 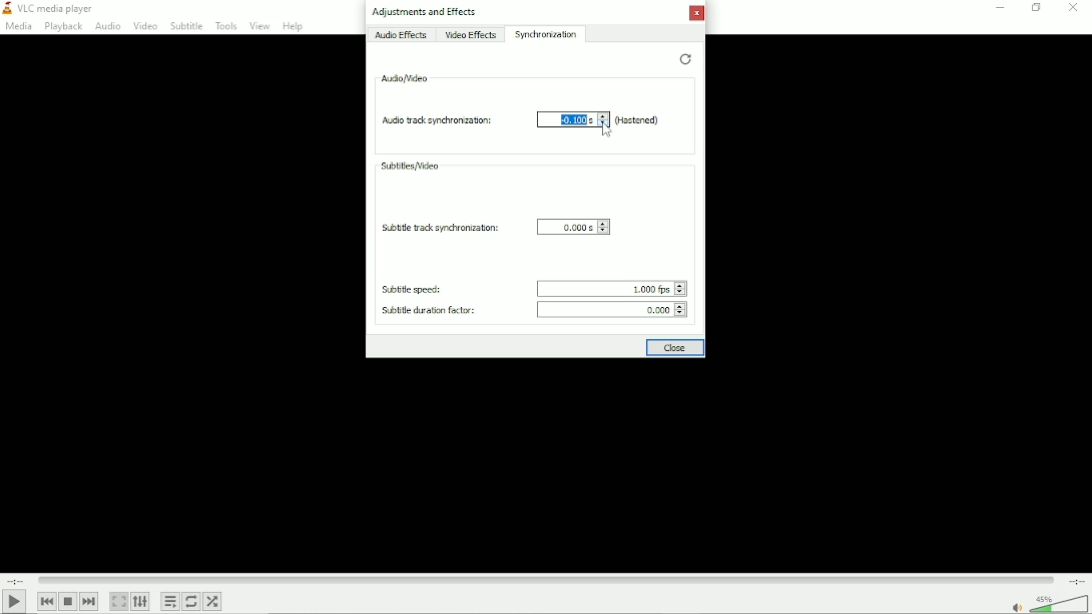 I want to click on Show extended settings, so click(x=140, y=602).